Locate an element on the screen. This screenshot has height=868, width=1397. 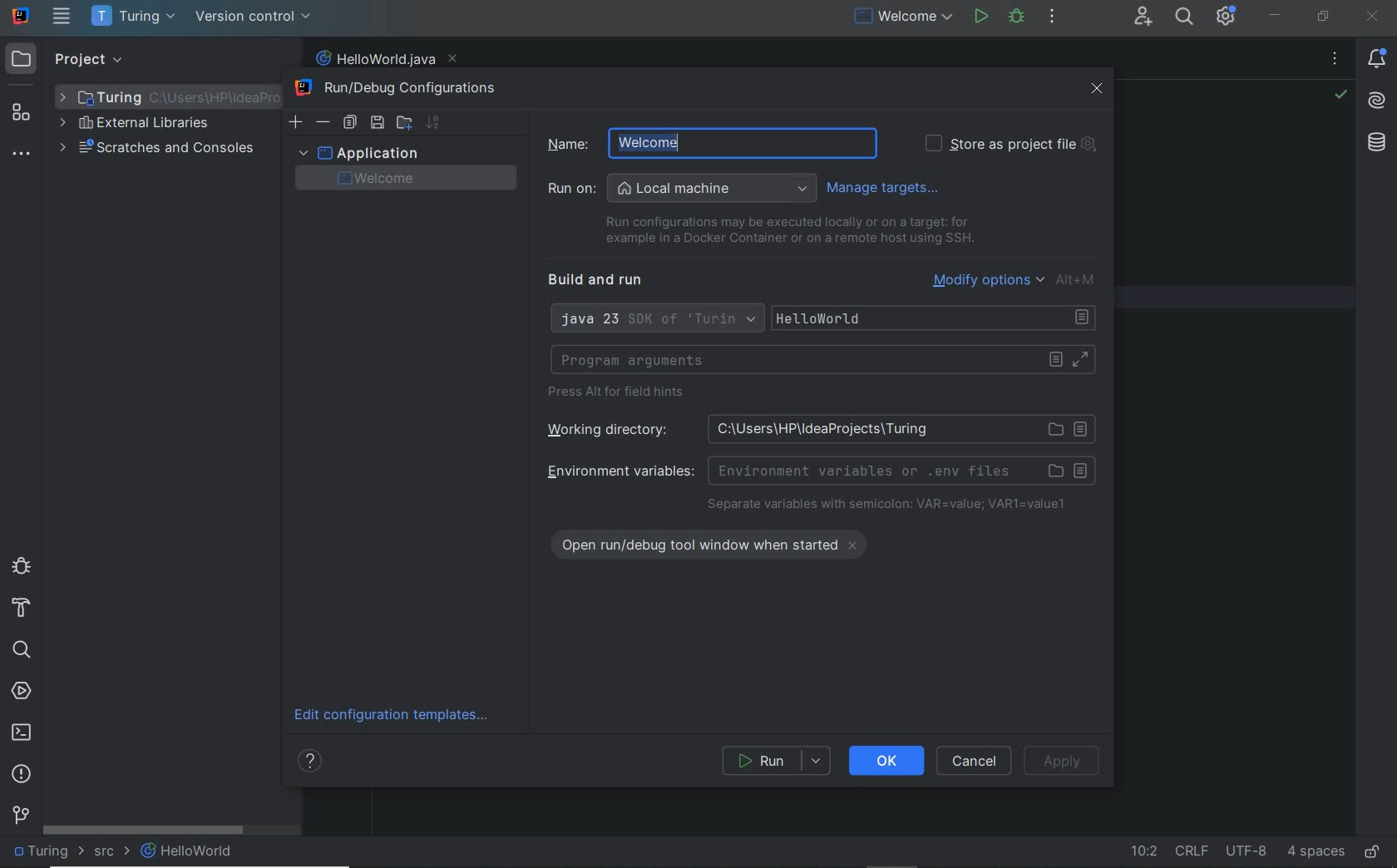
notifications is located at coordinates (1380, 60).